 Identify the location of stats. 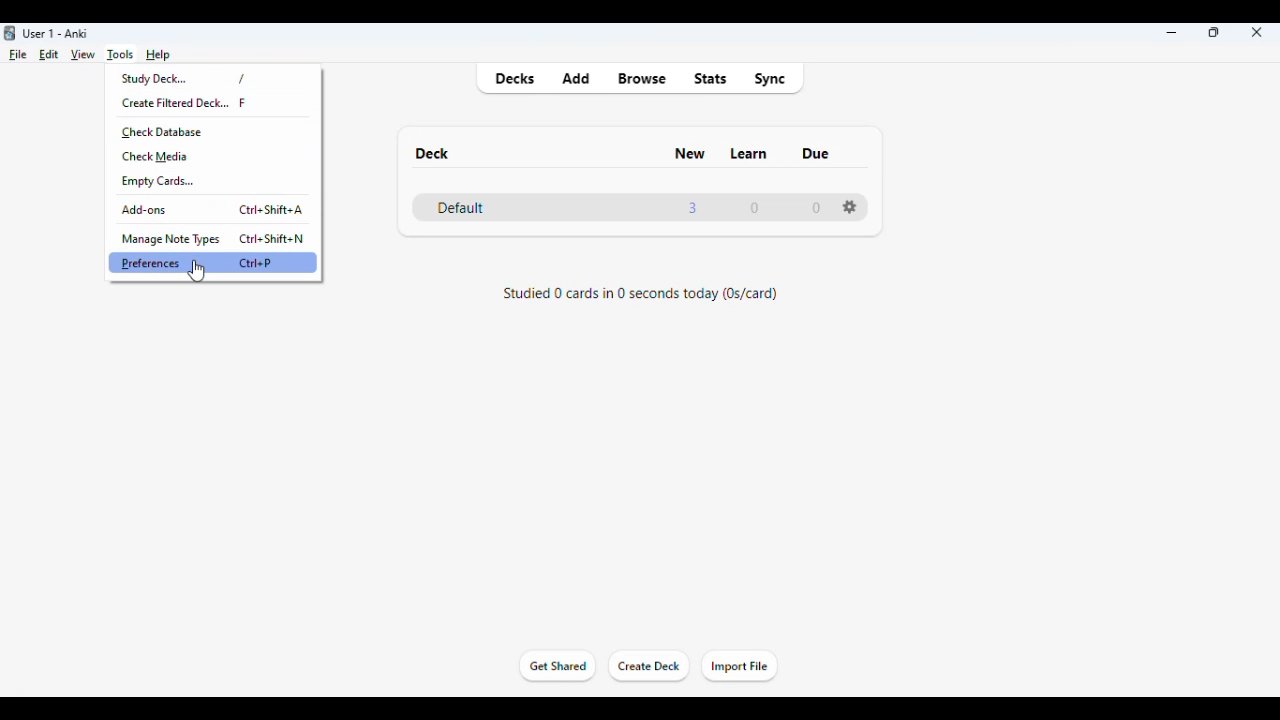
(711, 78).